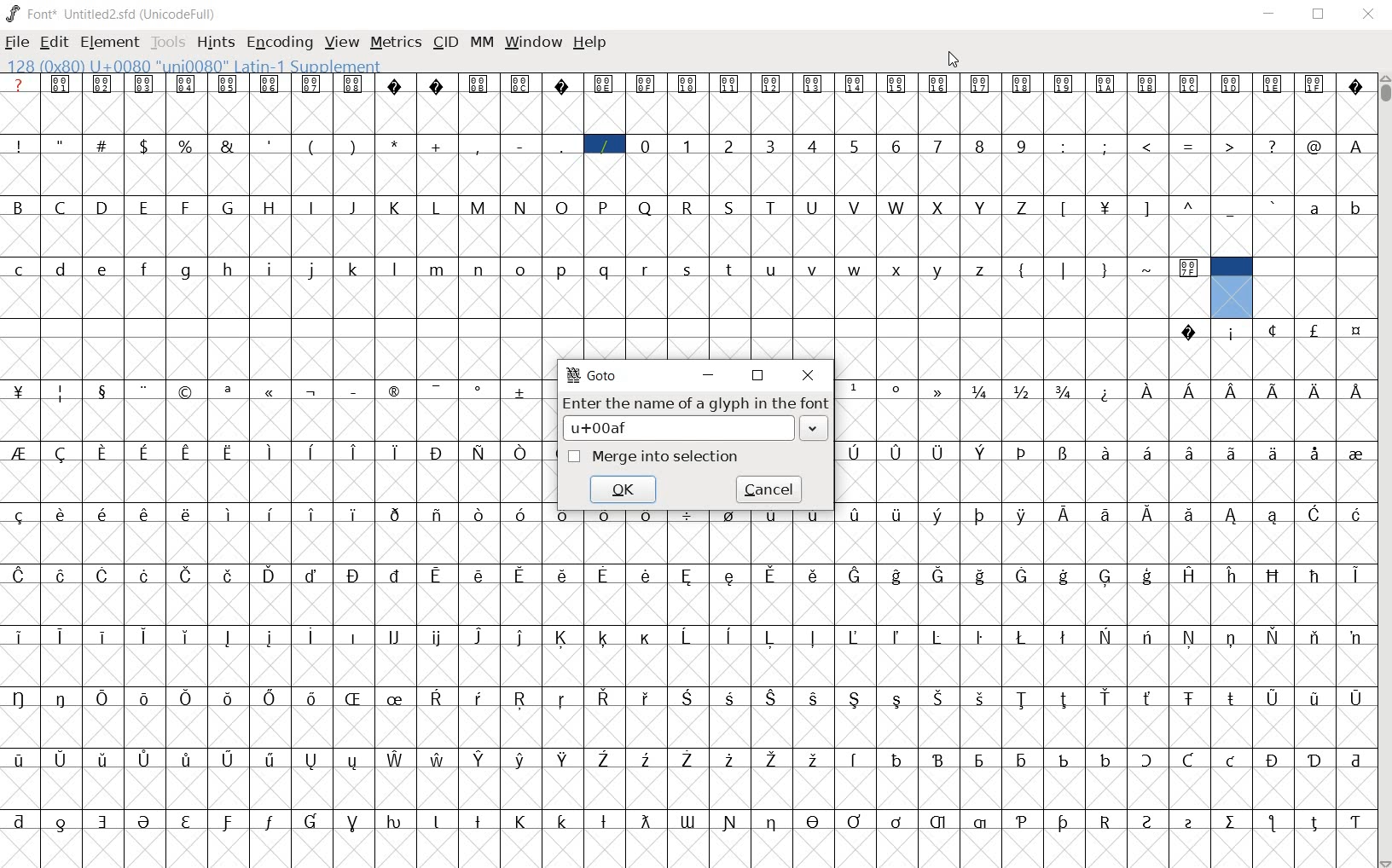 Image resolution: width=1392 pixels, height=868 pixels. What do you see at coordinates (1314, 329) in the screenshot?
I see `Symbol` at bounding box center [1314, 329].